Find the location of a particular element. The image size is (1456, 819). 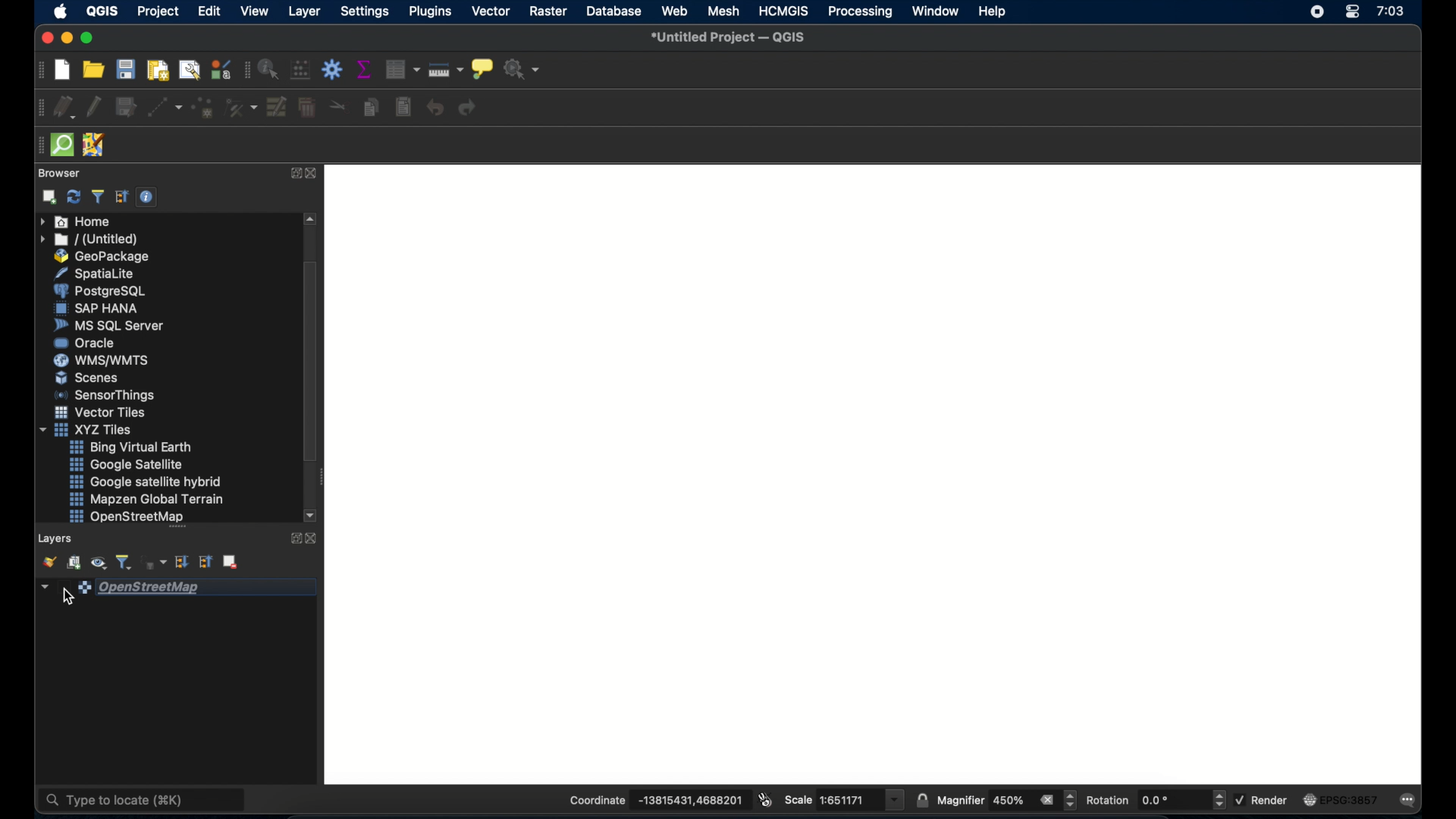

home menu is located at coordinates (73, 220).